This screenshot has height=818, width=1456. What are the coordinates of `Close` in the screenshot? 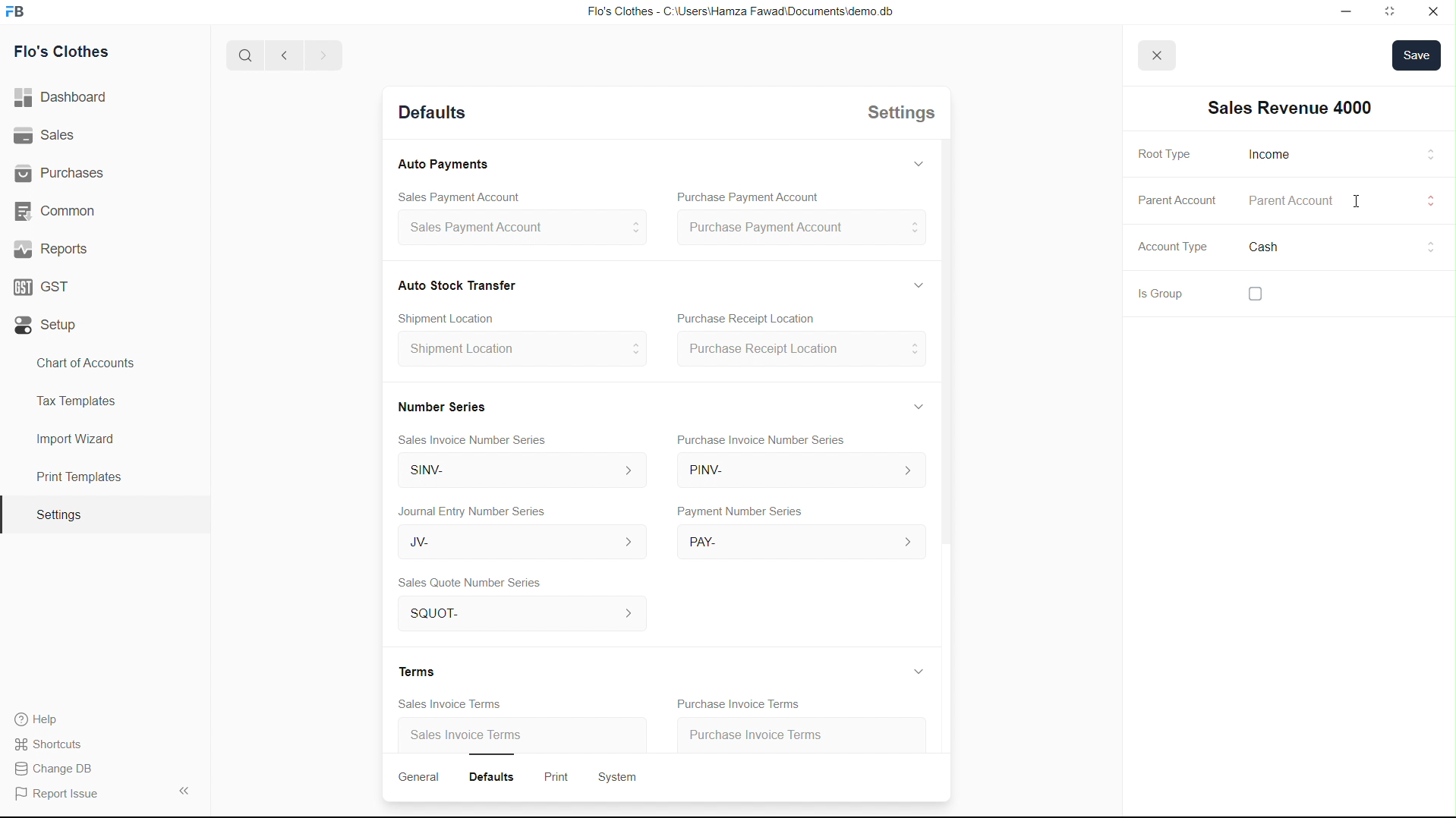 It's located at (1432, 11).